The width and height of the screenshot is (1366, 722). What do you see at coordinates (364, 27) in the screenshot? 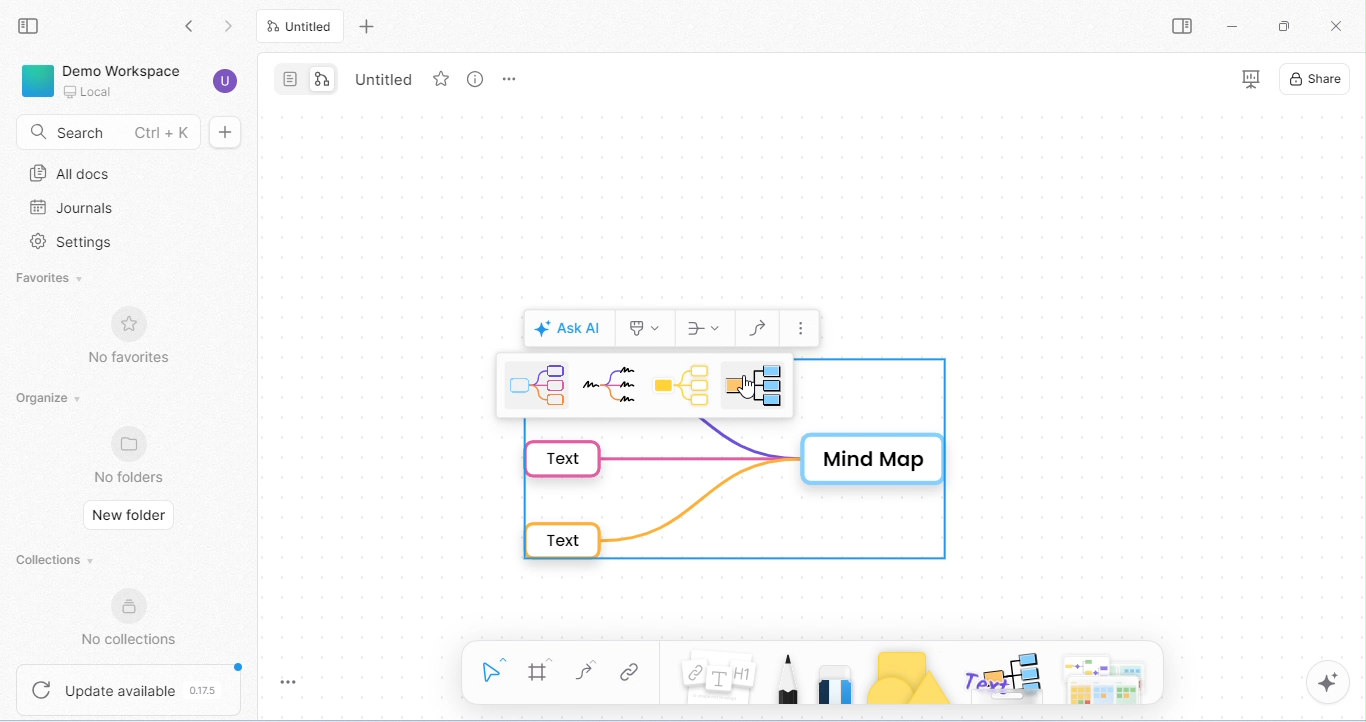
I see `new tab` at bounding box center [364, 27].